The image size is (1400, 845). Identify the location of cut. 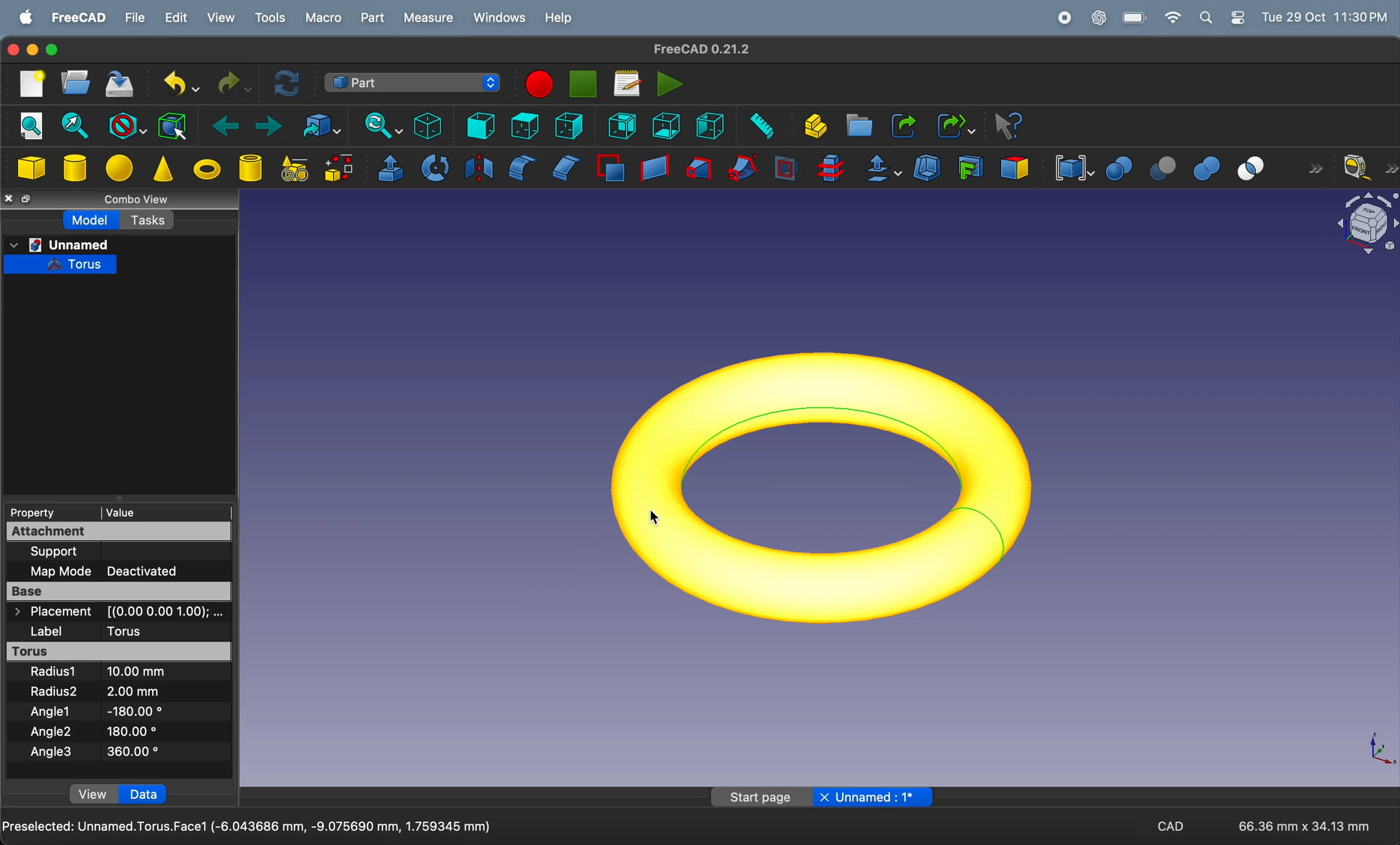
(1158, 166).